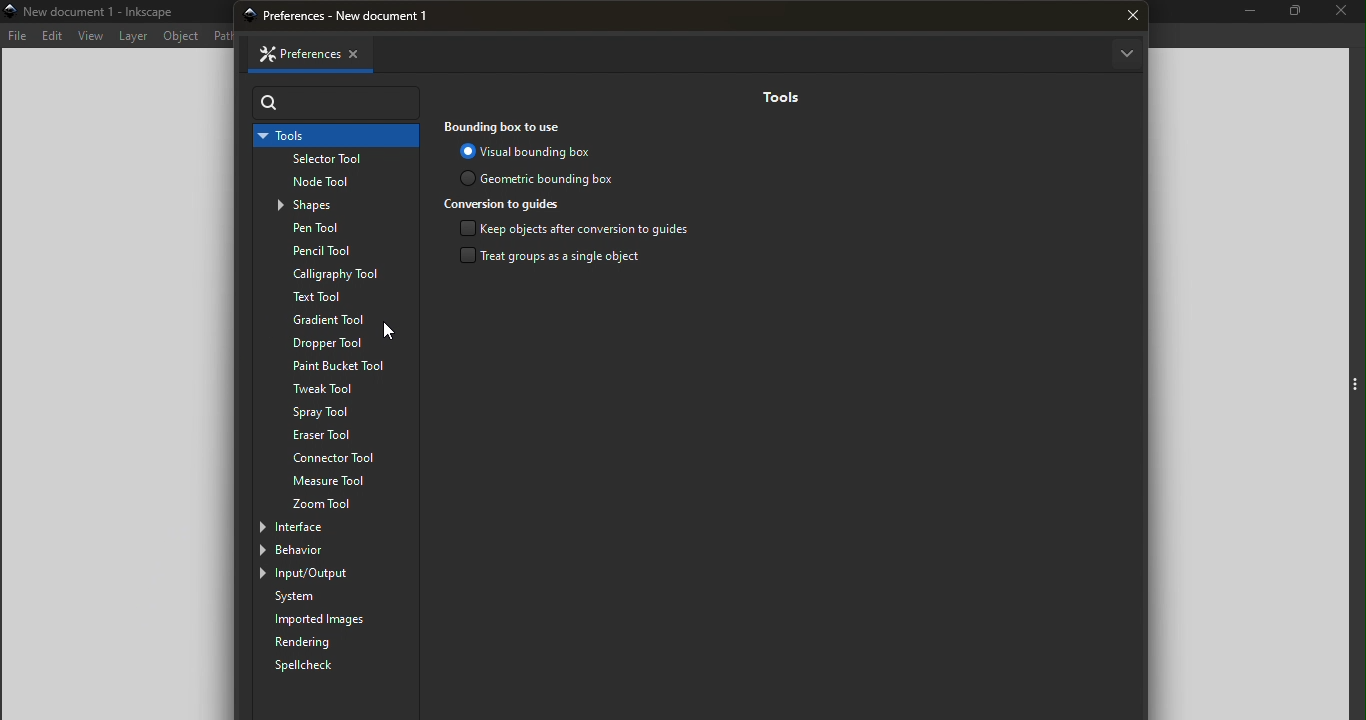 Image resolution: width=1366 pixels, height=720 pixels. I want to click on Spray tool, so click(327, 413).